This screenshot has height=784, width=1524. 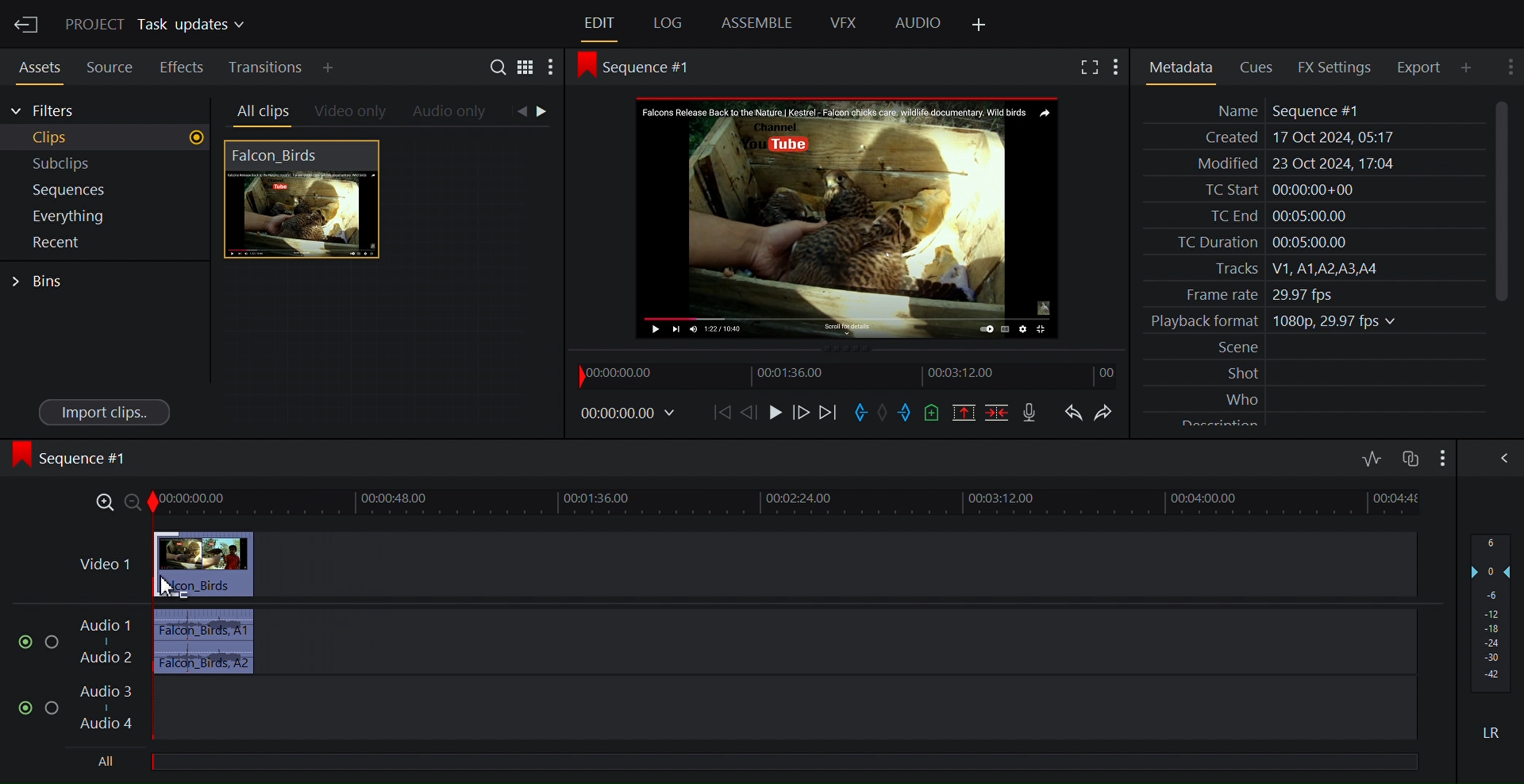 I want to click on TC Start, so click(x=1311, y=190).